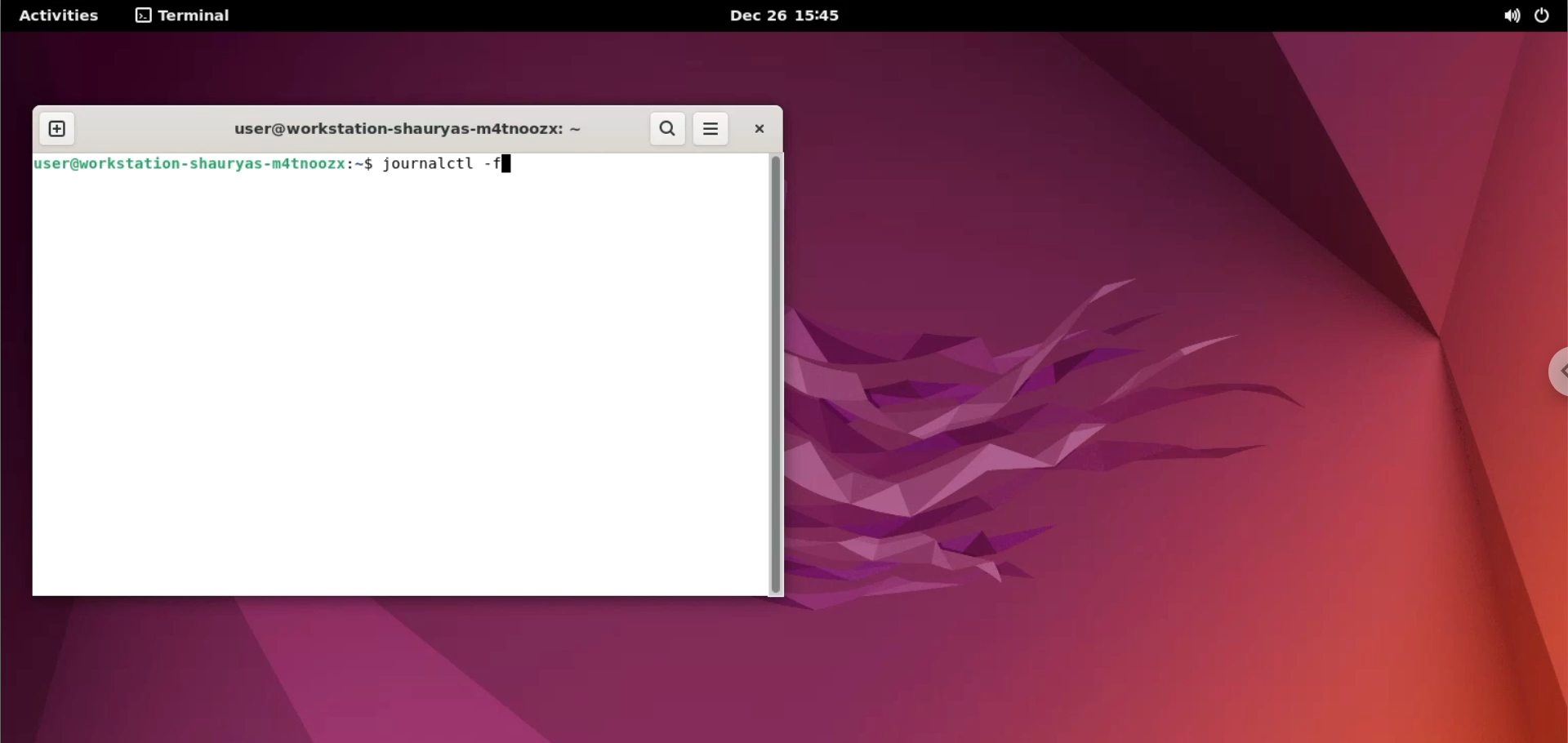 The width and height of the screenshot is (1568, 743). I want to click on new tab, so click(58, 130).